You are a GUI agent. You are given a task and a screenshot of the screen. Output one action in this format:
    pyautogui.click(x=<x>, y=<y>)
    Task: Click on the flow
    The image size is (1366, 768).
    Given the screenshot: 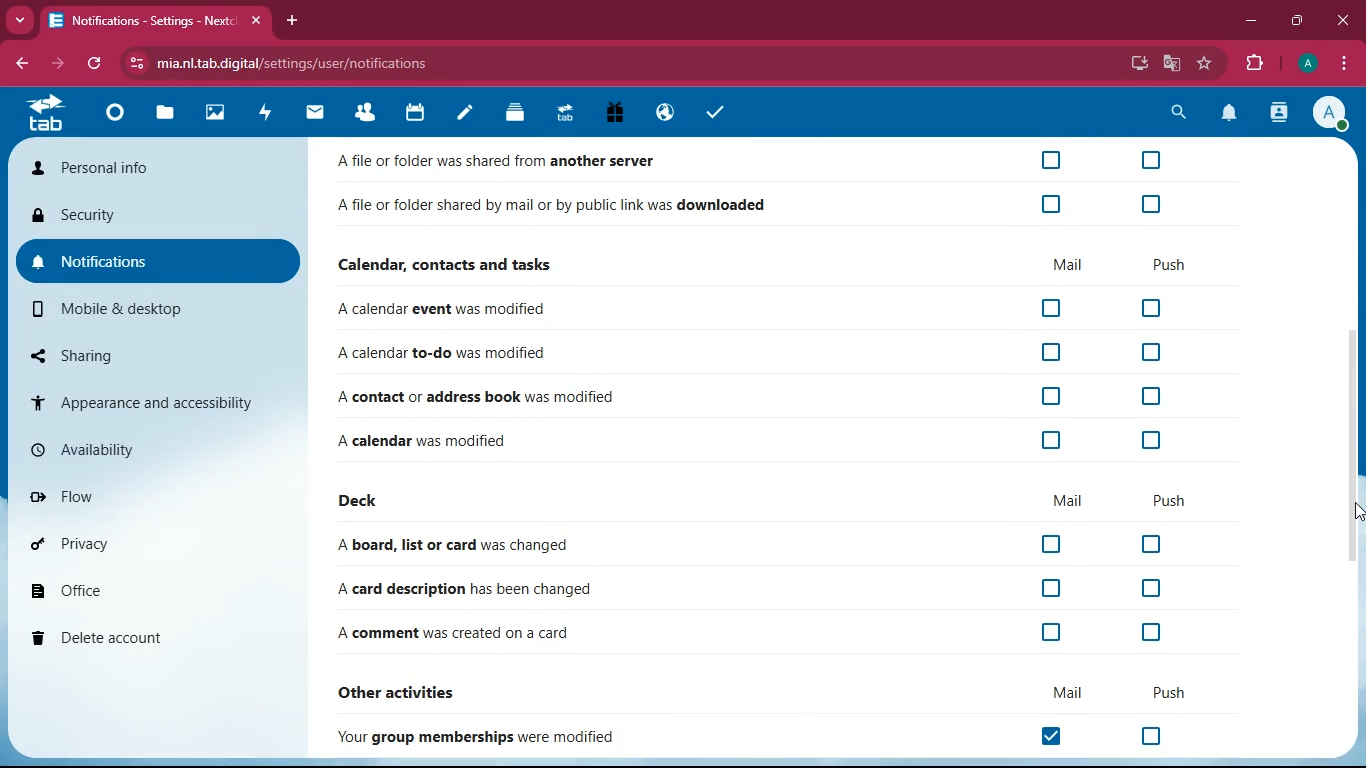 What is the action you would take?
    pyautogui.click(x=154, y=493)
    